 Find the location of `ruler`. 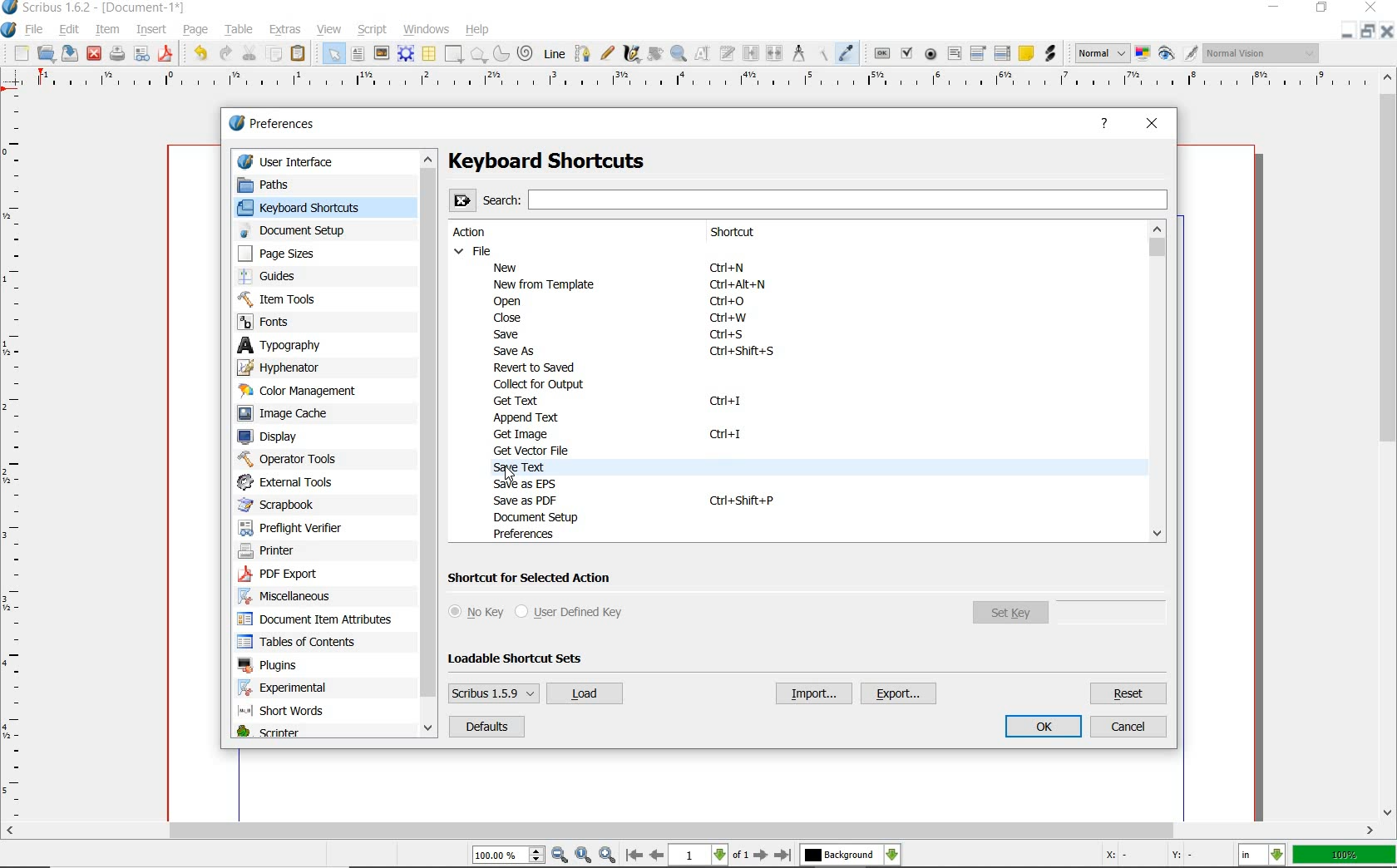

ruler is located at coordinates (15, 459).